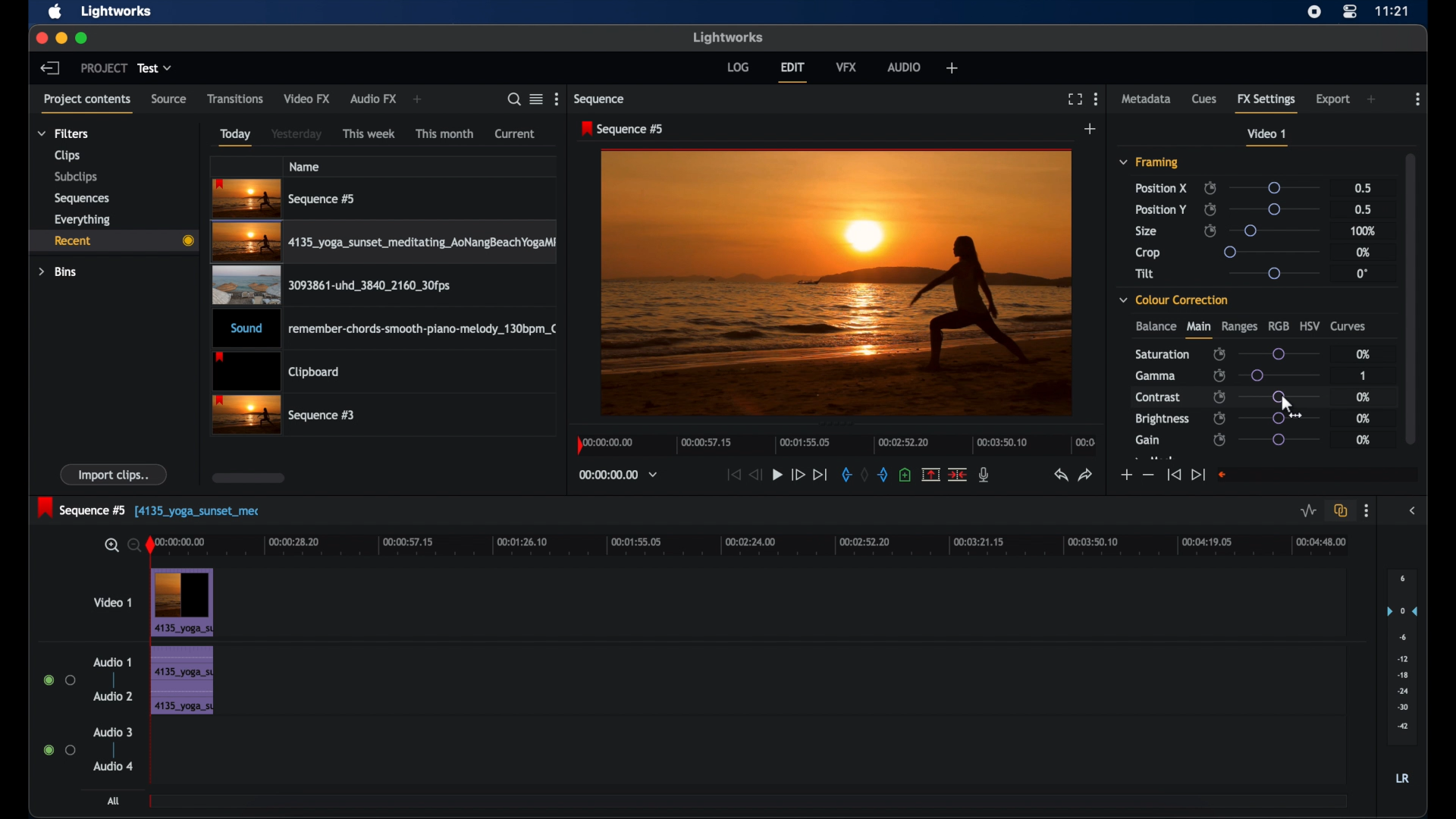  I want to click on today, so click(235, 137).